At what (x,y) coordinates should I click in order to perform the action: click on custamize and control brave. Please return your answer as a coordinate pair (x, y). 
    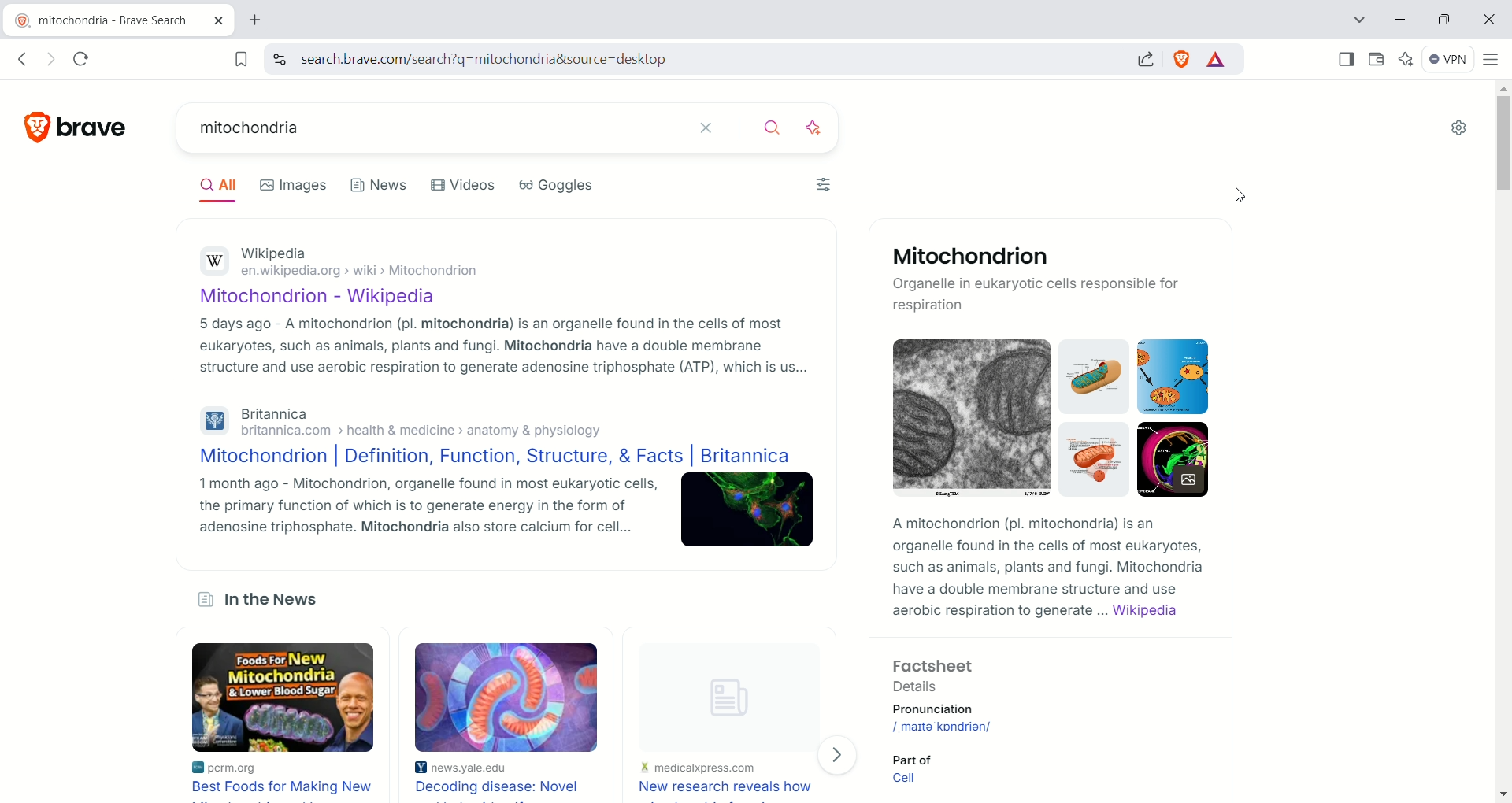
    Looking at the image, I should click on (1492, 61).